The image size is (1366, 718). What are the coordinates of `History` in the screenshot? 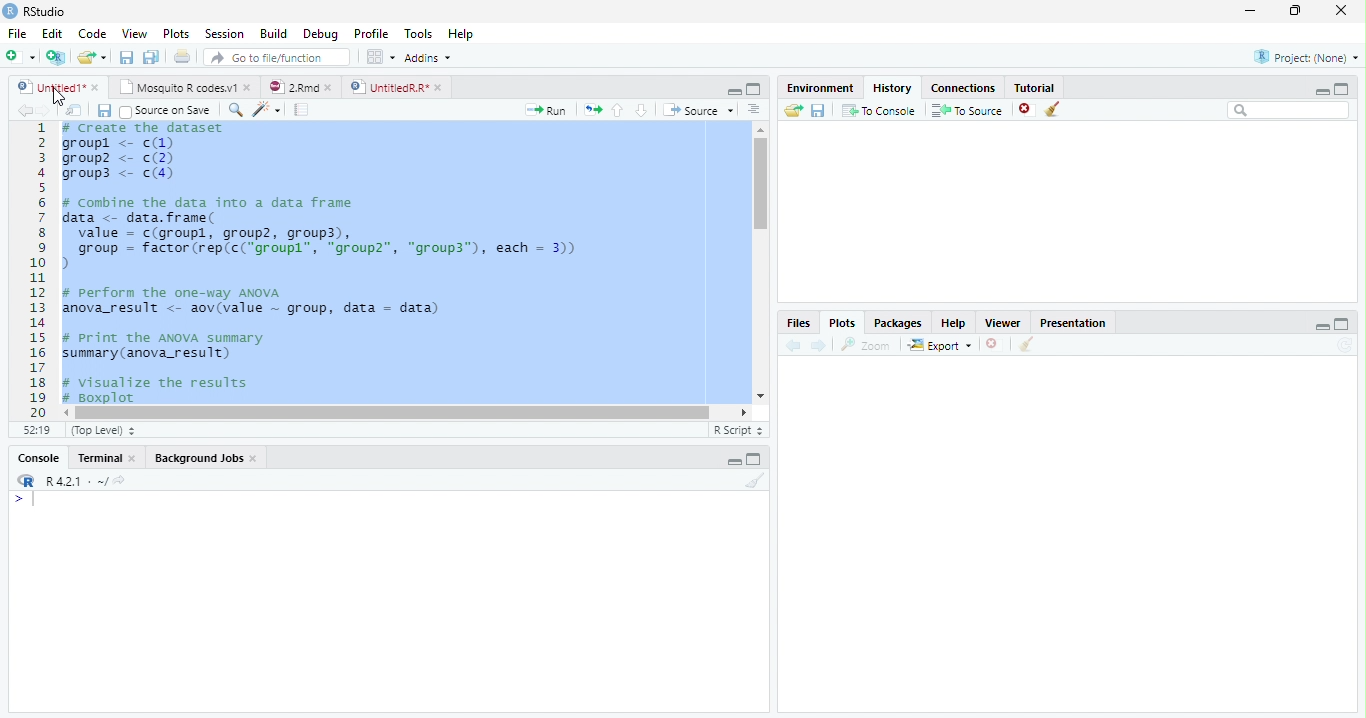 It's located at (893, 87).